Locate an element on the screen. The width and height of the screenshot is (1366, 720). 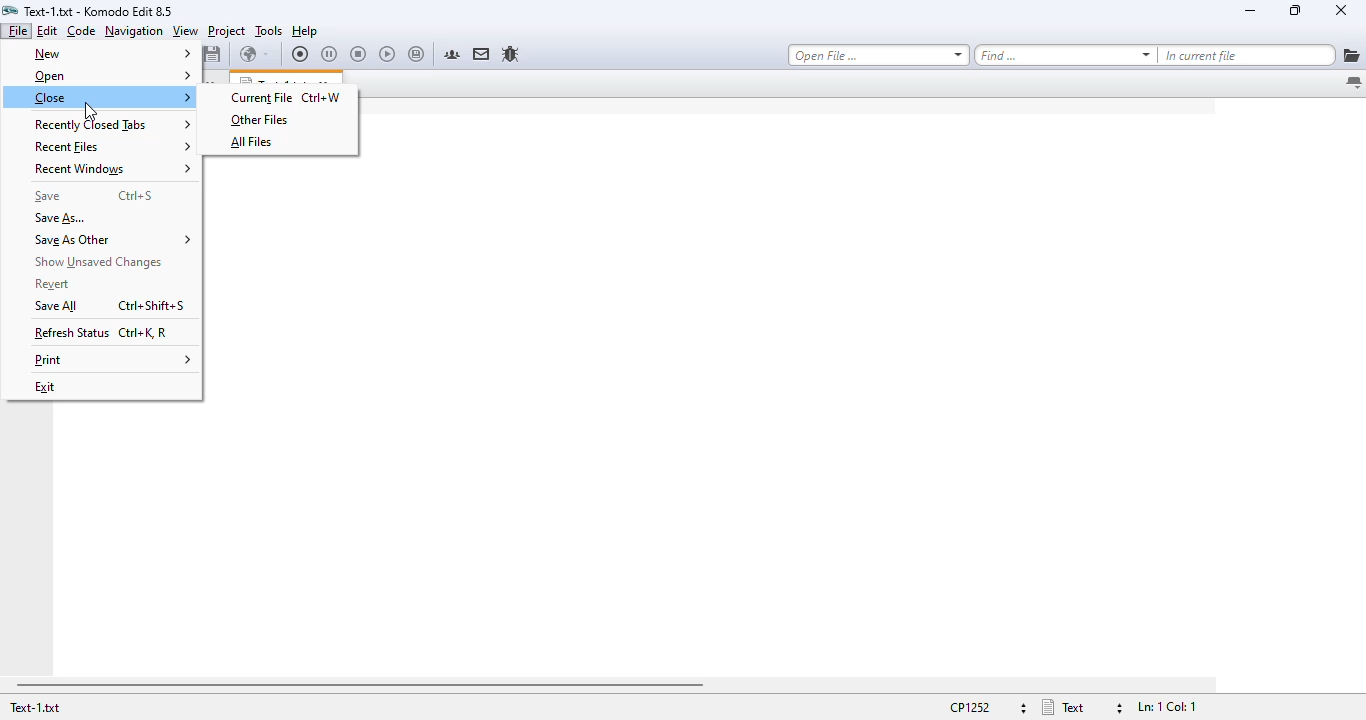
close is located at coordinates (112, 97).